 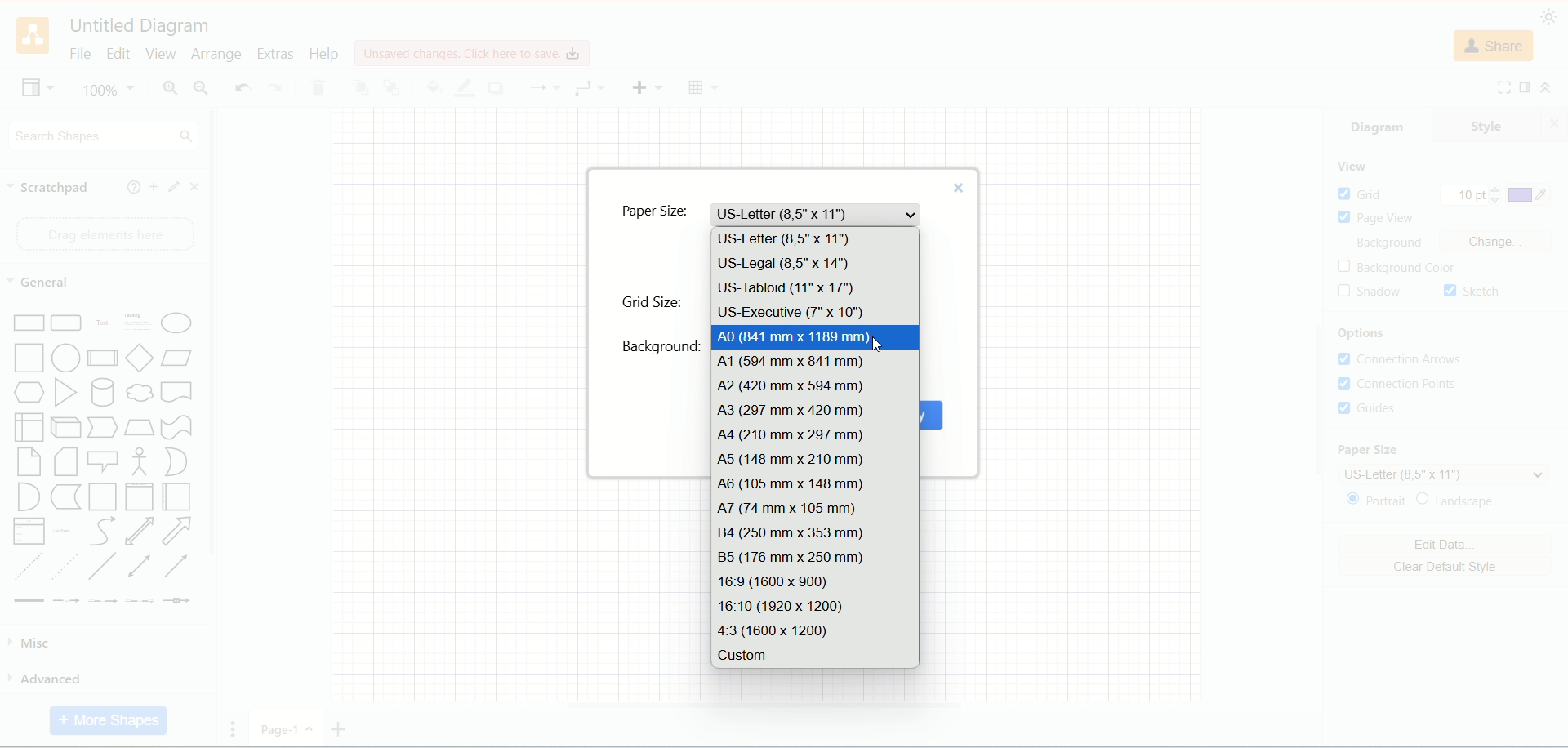 What do you see at coordinates (813, 605) in the screenshot?
I see `16:10` at bounding box center [813, 605].